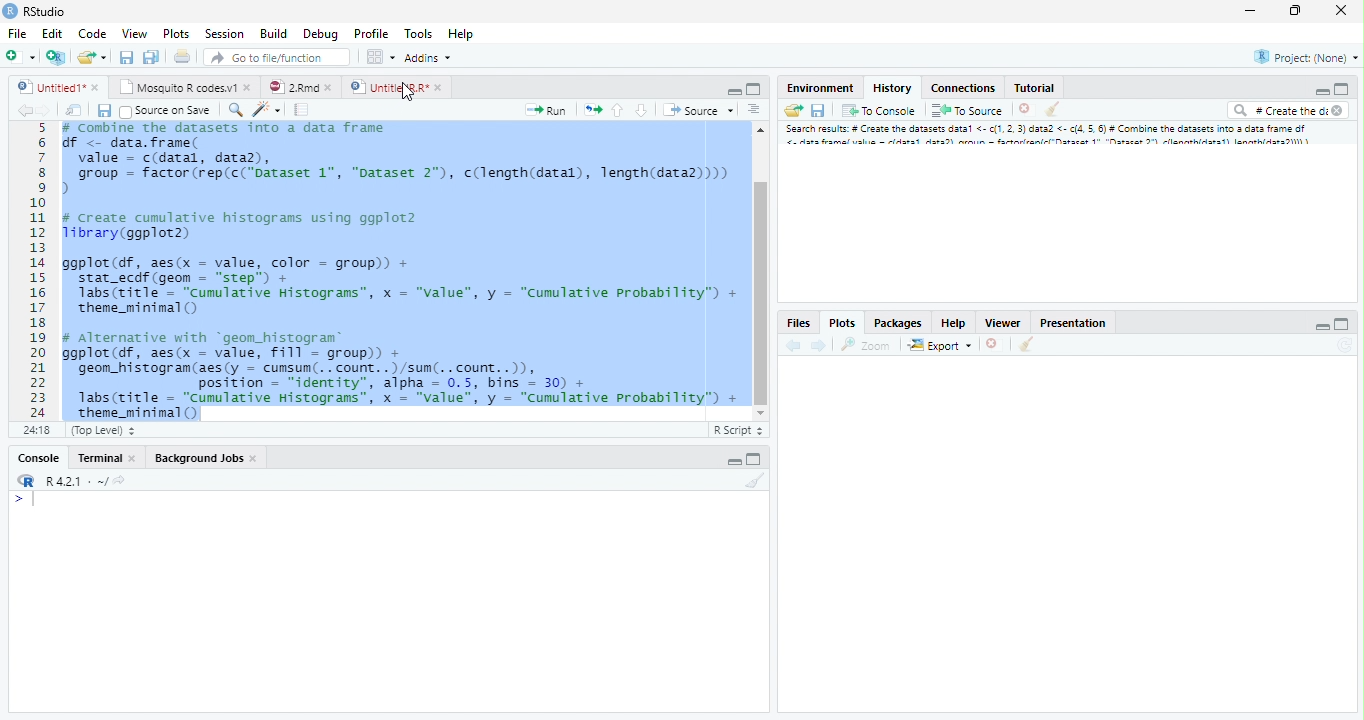 The height and width of the screenshot is (720, 1364). What do you see at coordinates (300, 111) in the screenshot?
I see `Pages` at bounding box center [300, 111].